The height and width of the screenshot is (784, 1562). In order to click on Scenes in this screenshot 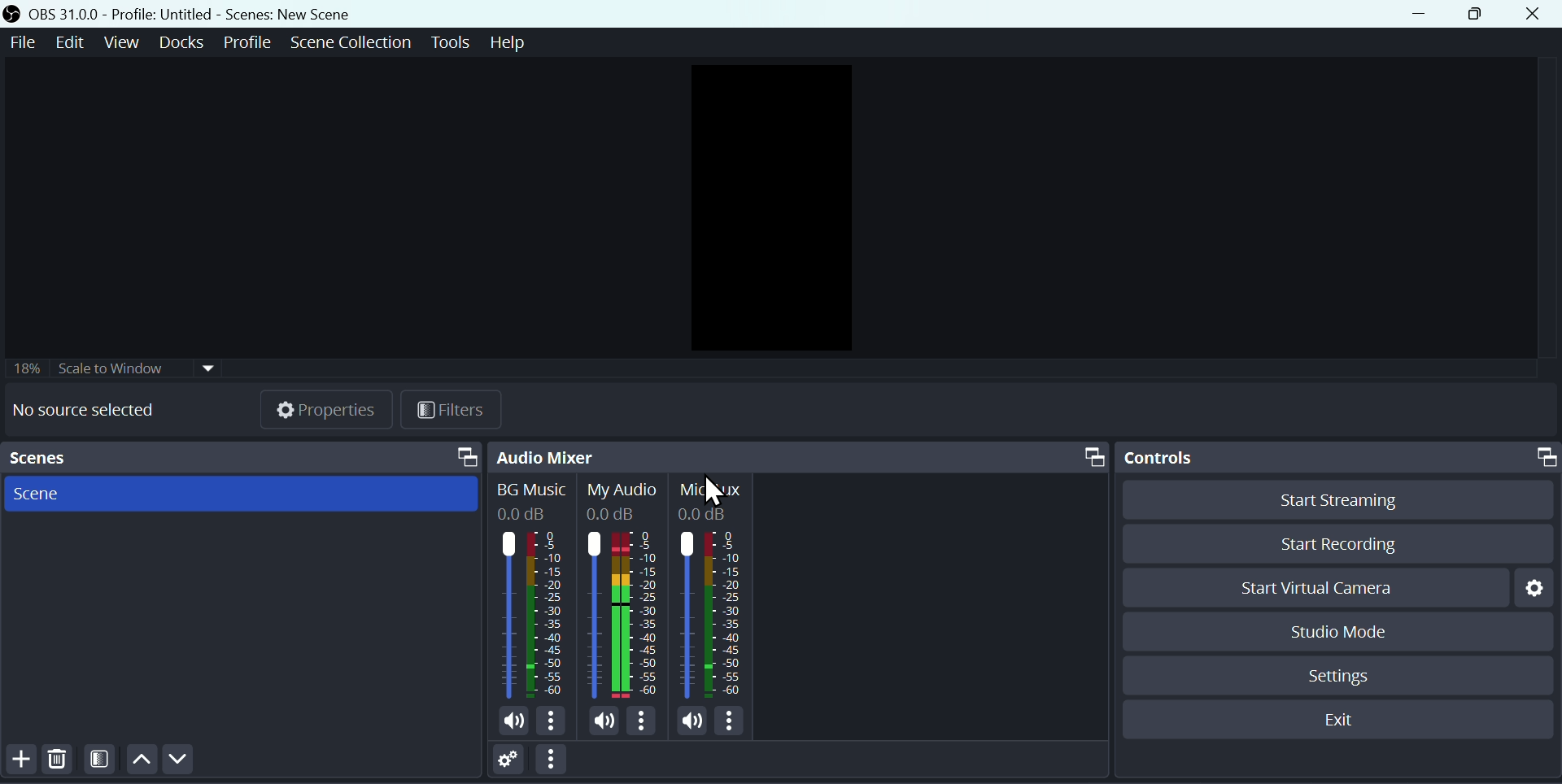, I will do `click(233, 496)`.